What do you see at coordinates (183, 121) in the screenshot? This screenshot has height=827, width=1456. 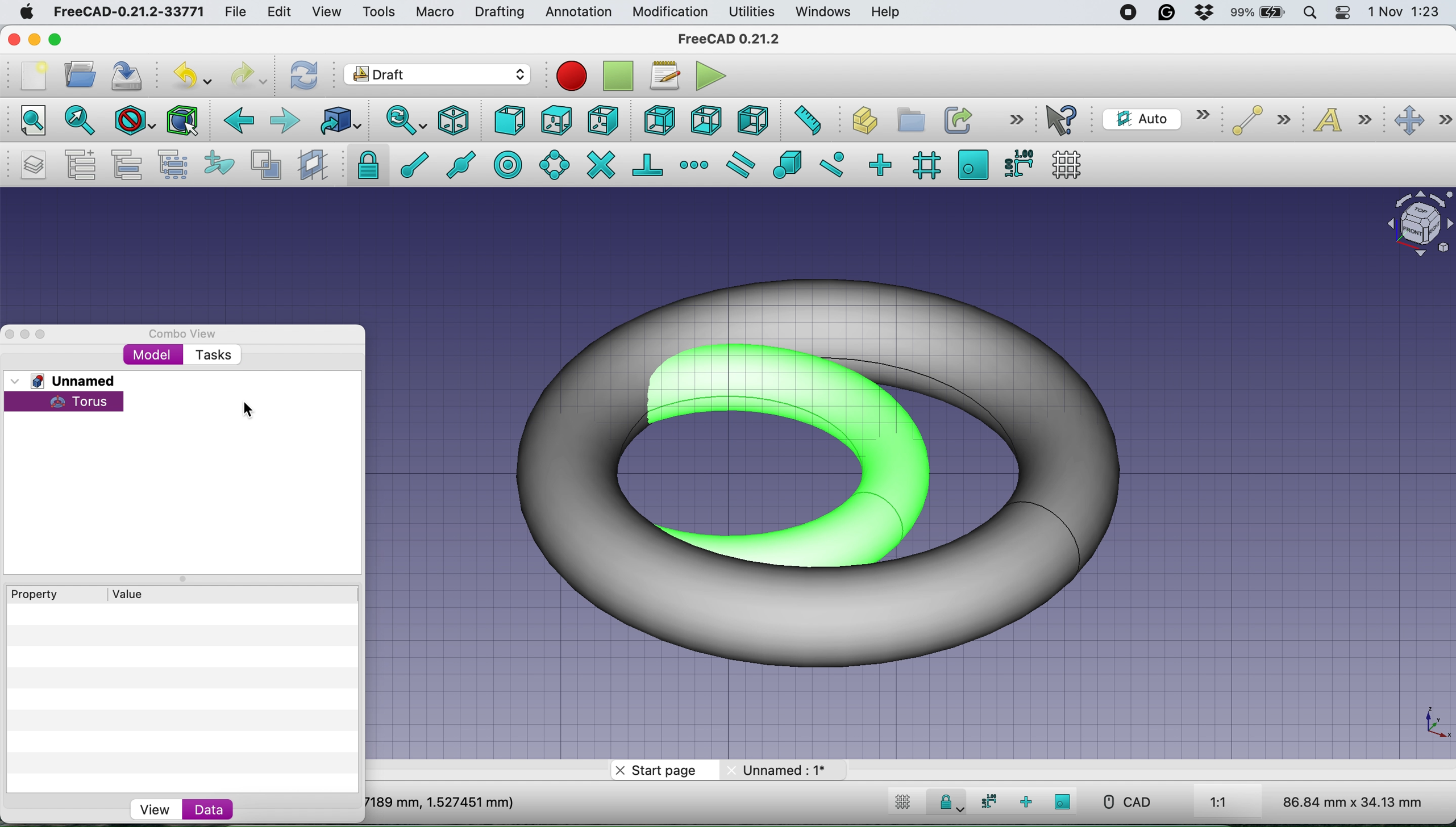 I see `bounding box` at bounding box center [183, 121].